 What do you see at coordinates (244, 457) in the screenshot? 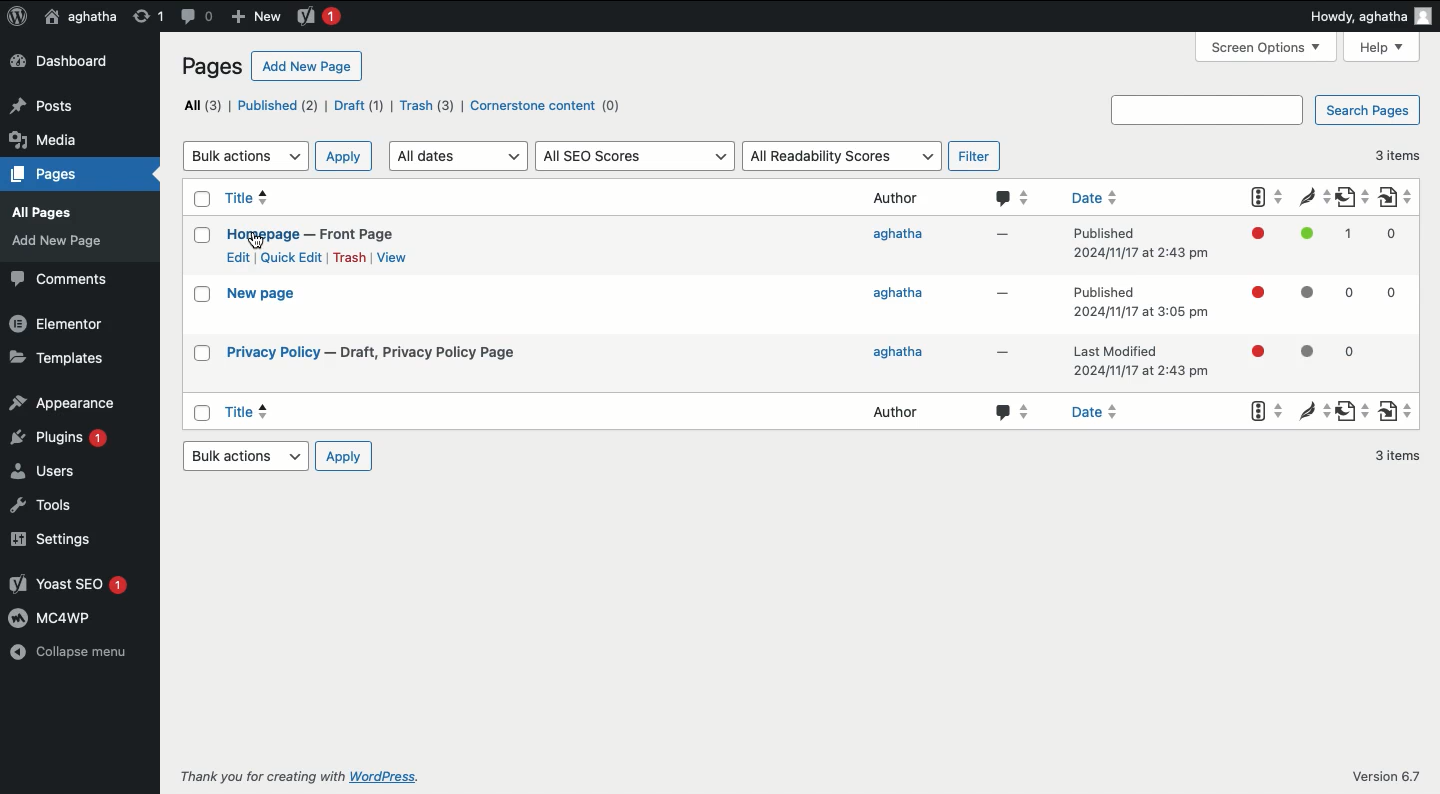
I see `Bulk actions` at bounding box center [244, 457].